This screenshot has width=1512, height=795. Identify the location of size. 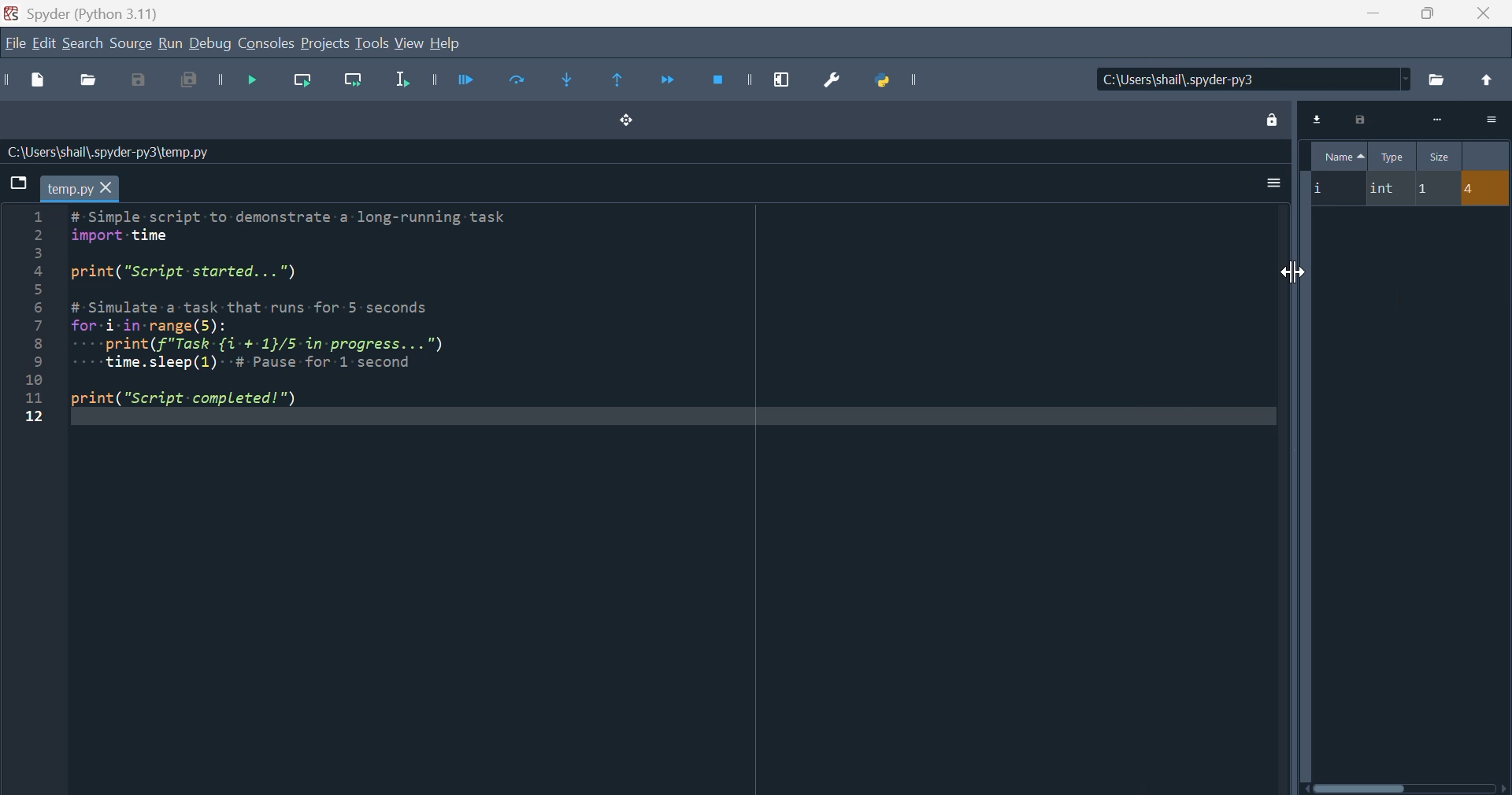
(1439, 157).